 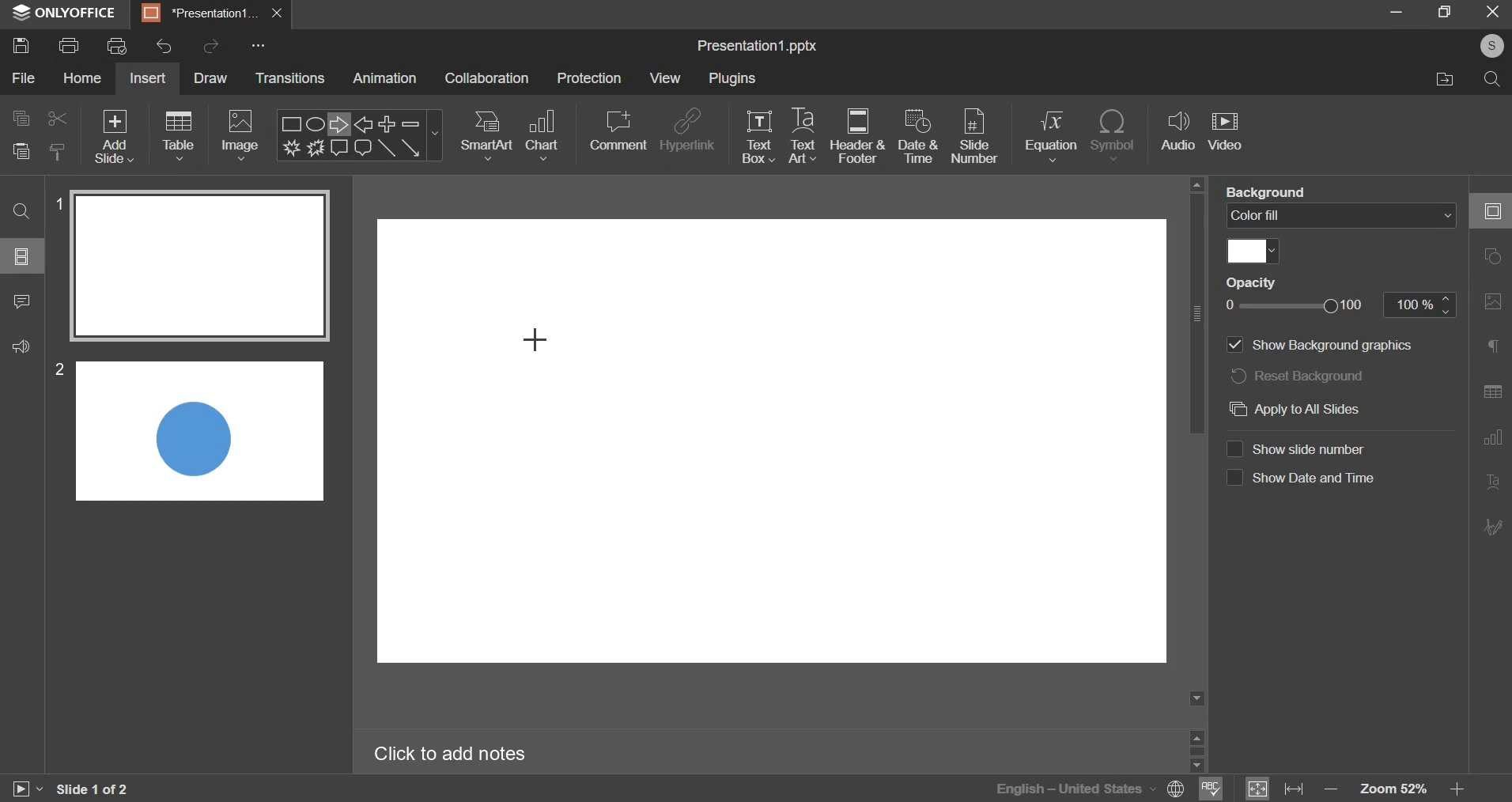 I want to click on comment, so click(x=619, y=131).